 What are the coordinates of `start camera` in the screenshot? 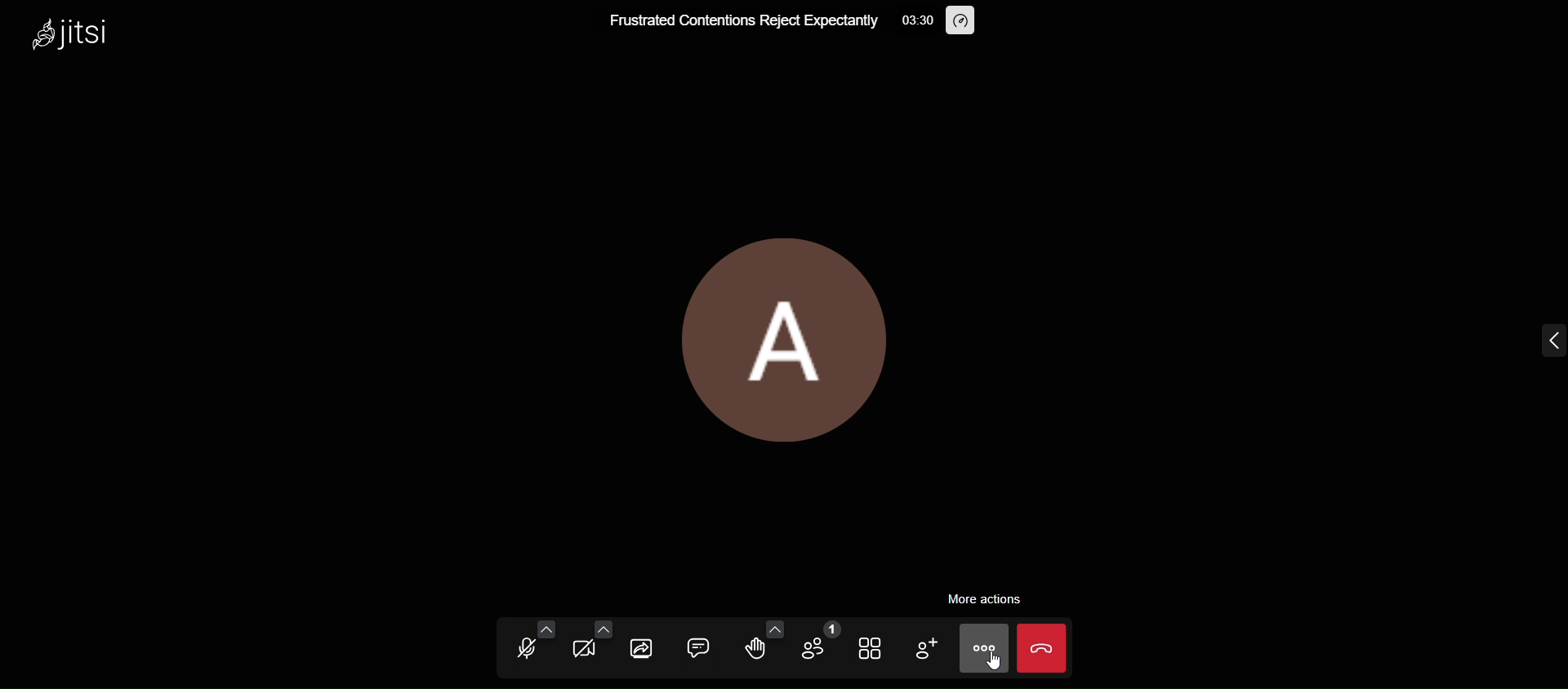 It's located at (582, 648).